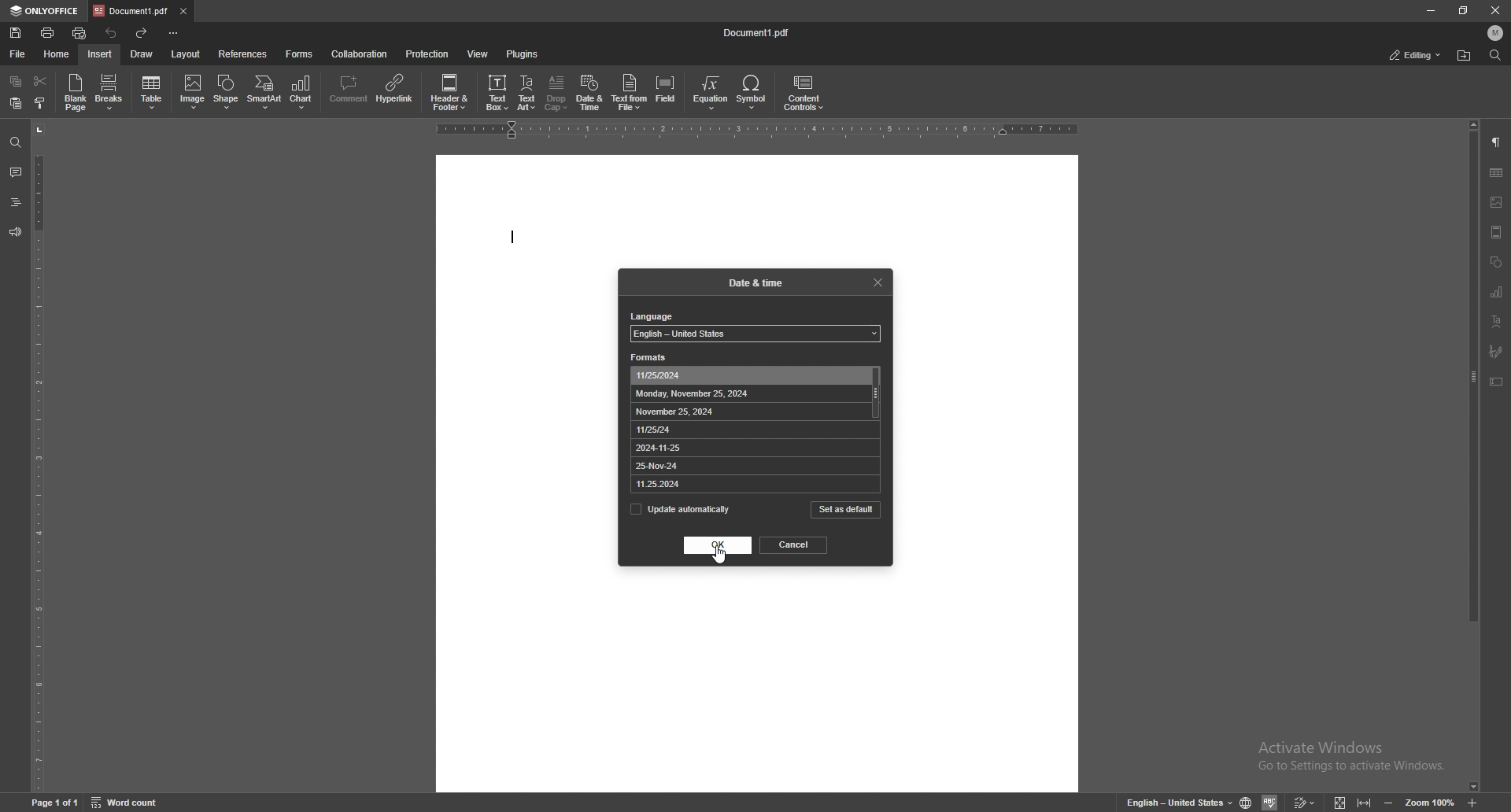 The width and height of the screenshot is (1511, 812). I want to click on find, so click(1495, 56).